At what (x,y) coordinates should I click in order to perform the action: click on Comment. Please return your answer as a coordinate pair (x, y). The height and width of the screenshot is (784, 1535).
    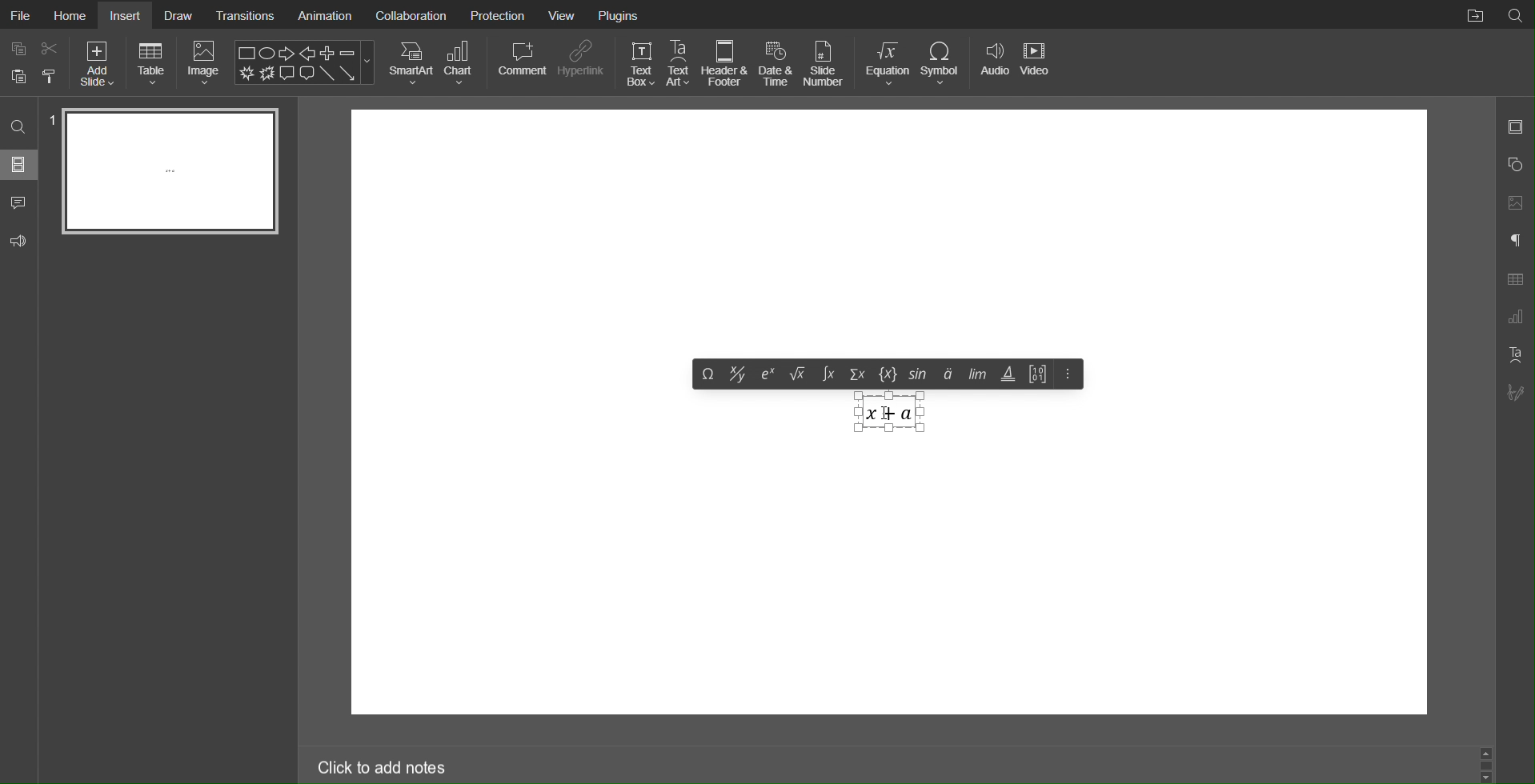
    Looking at the image, I should click on (520, 62).